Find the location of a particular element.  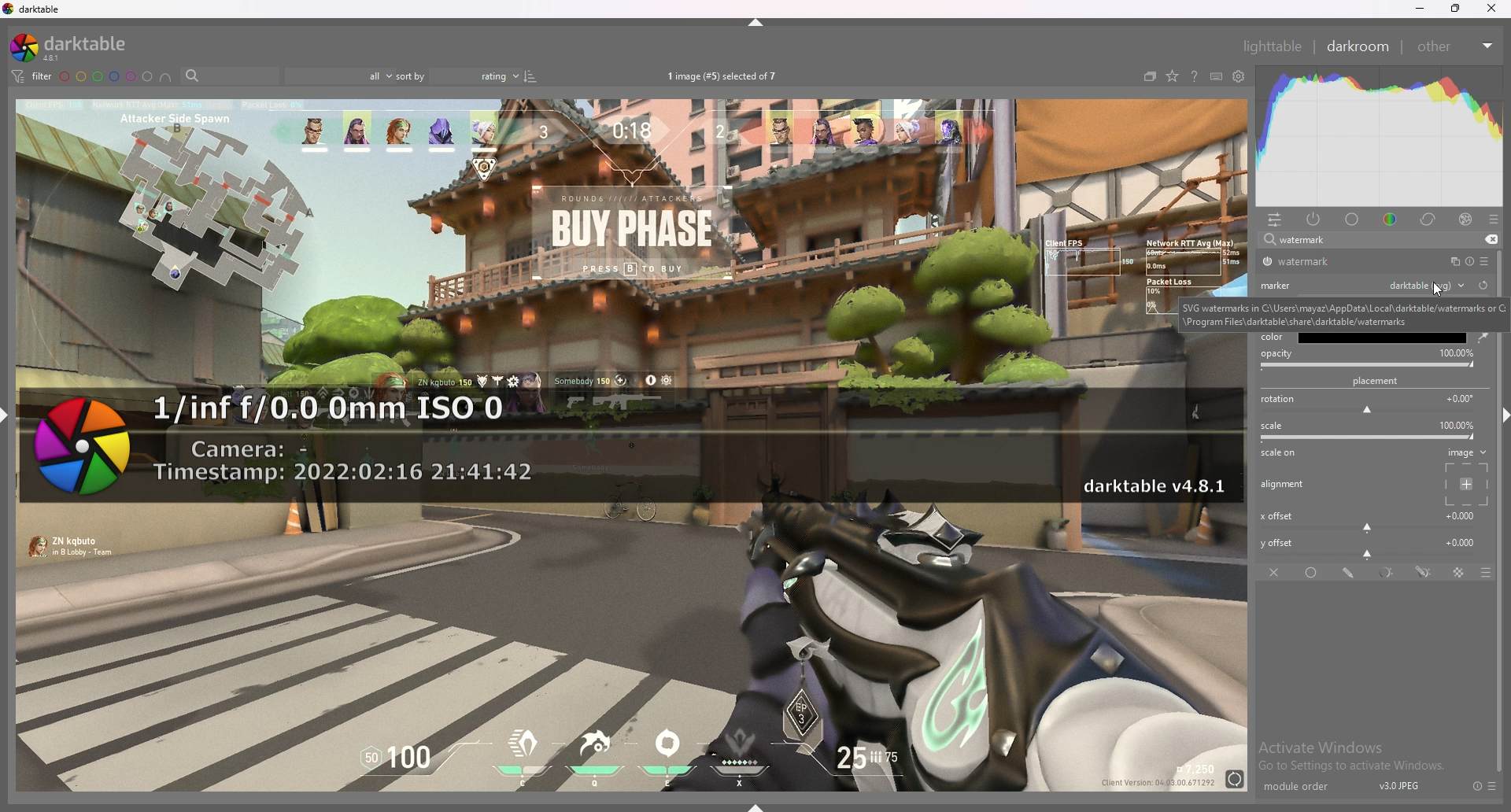

y offset is located at coordinates (1370, 546).